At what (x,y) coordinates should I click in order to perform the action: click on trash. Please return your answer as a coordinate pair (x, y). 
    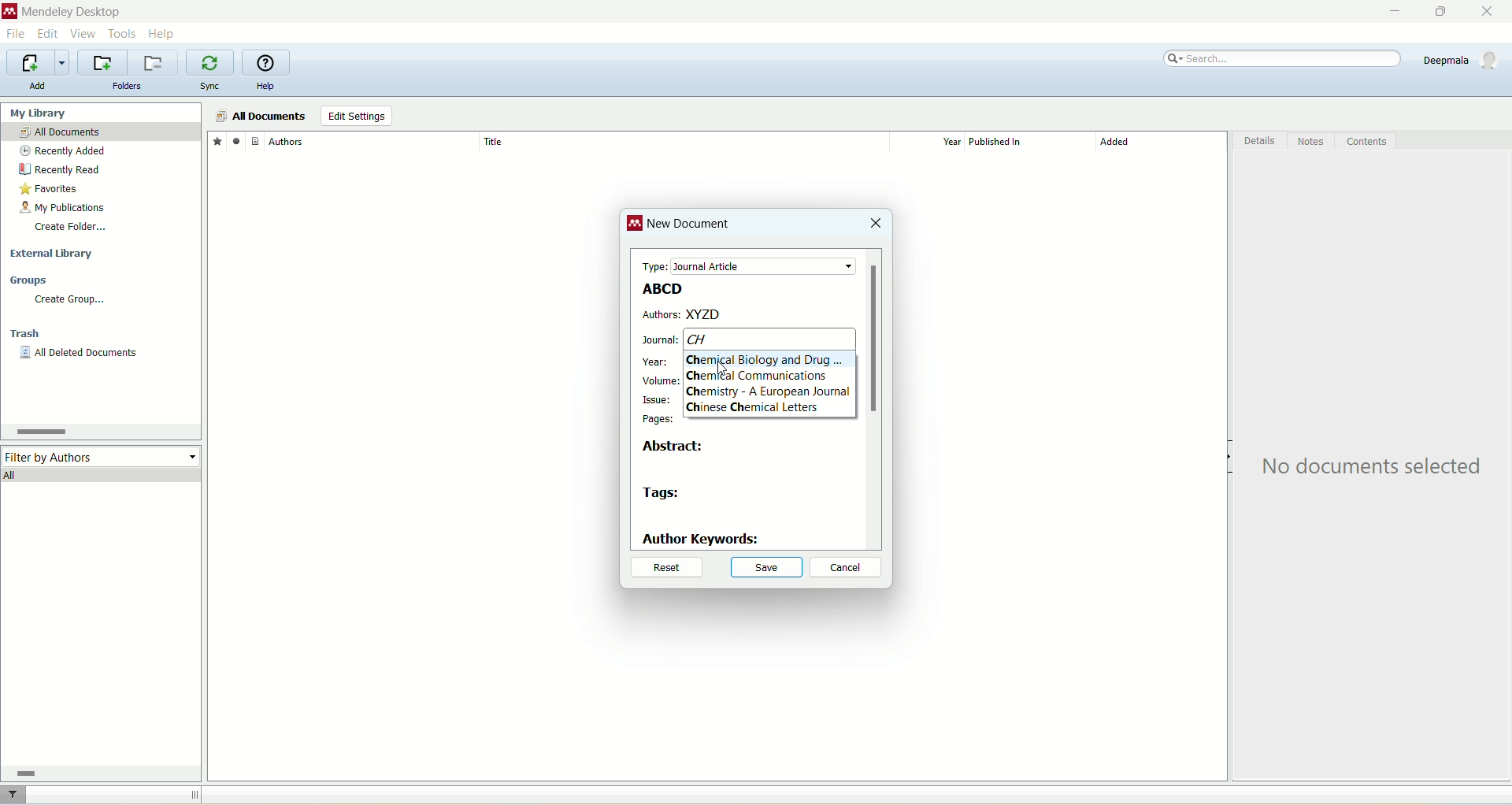
    Looking at the image, I should click on (28, 336).